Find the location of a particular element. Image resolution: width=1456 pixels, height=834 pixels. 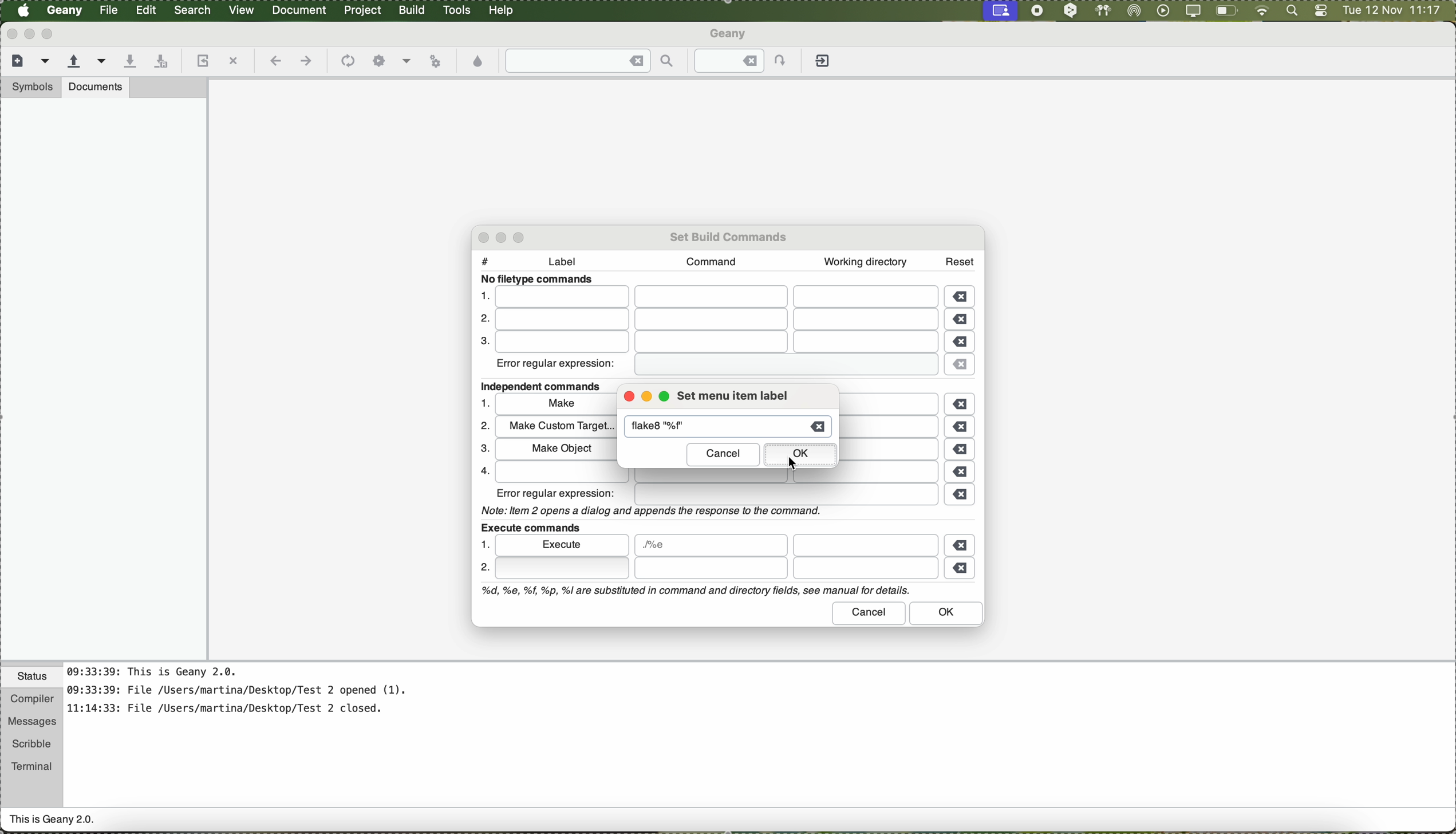

minimize is located at coordinates (647, 399).